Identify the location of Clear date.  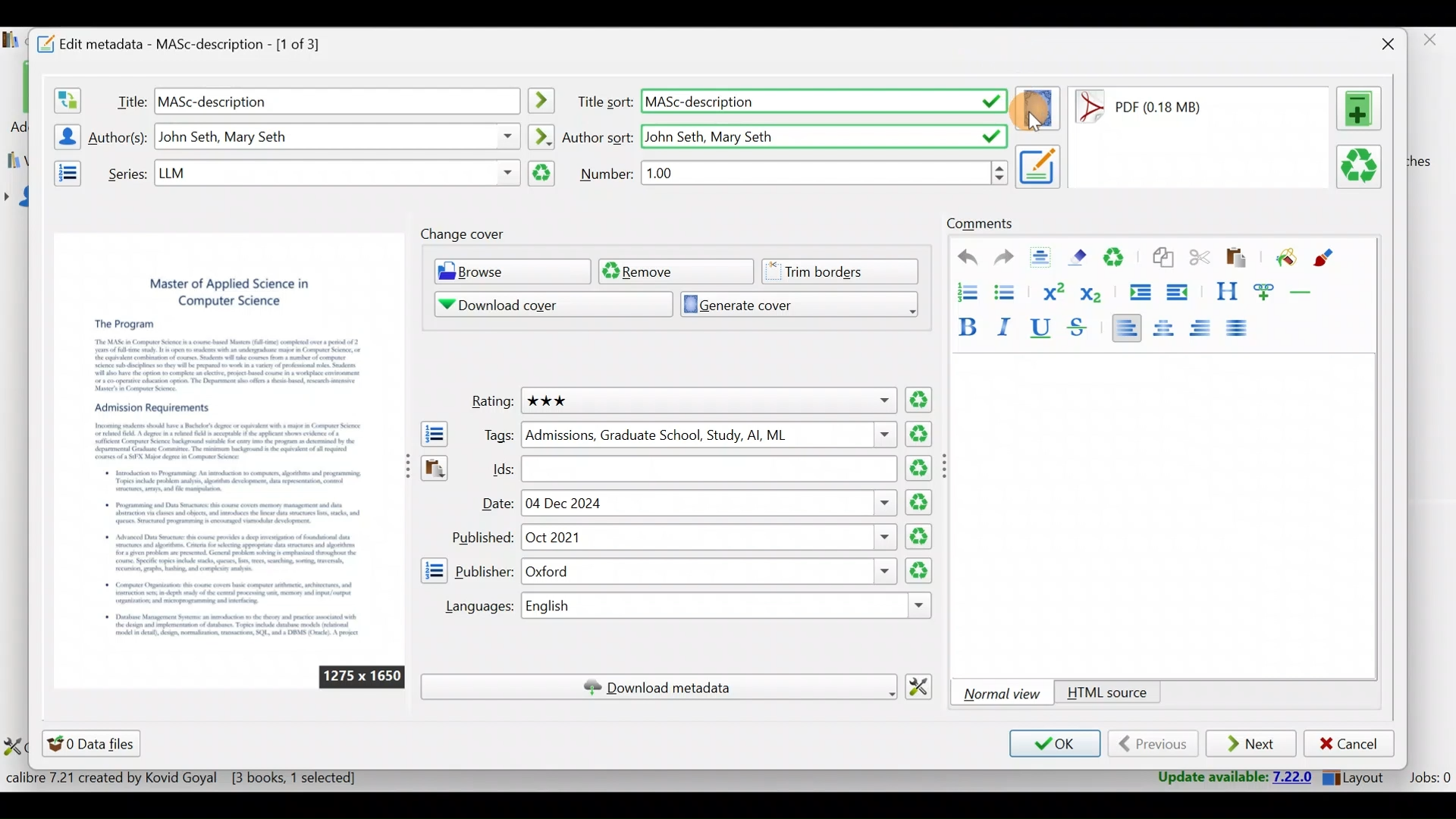
(921, 500).